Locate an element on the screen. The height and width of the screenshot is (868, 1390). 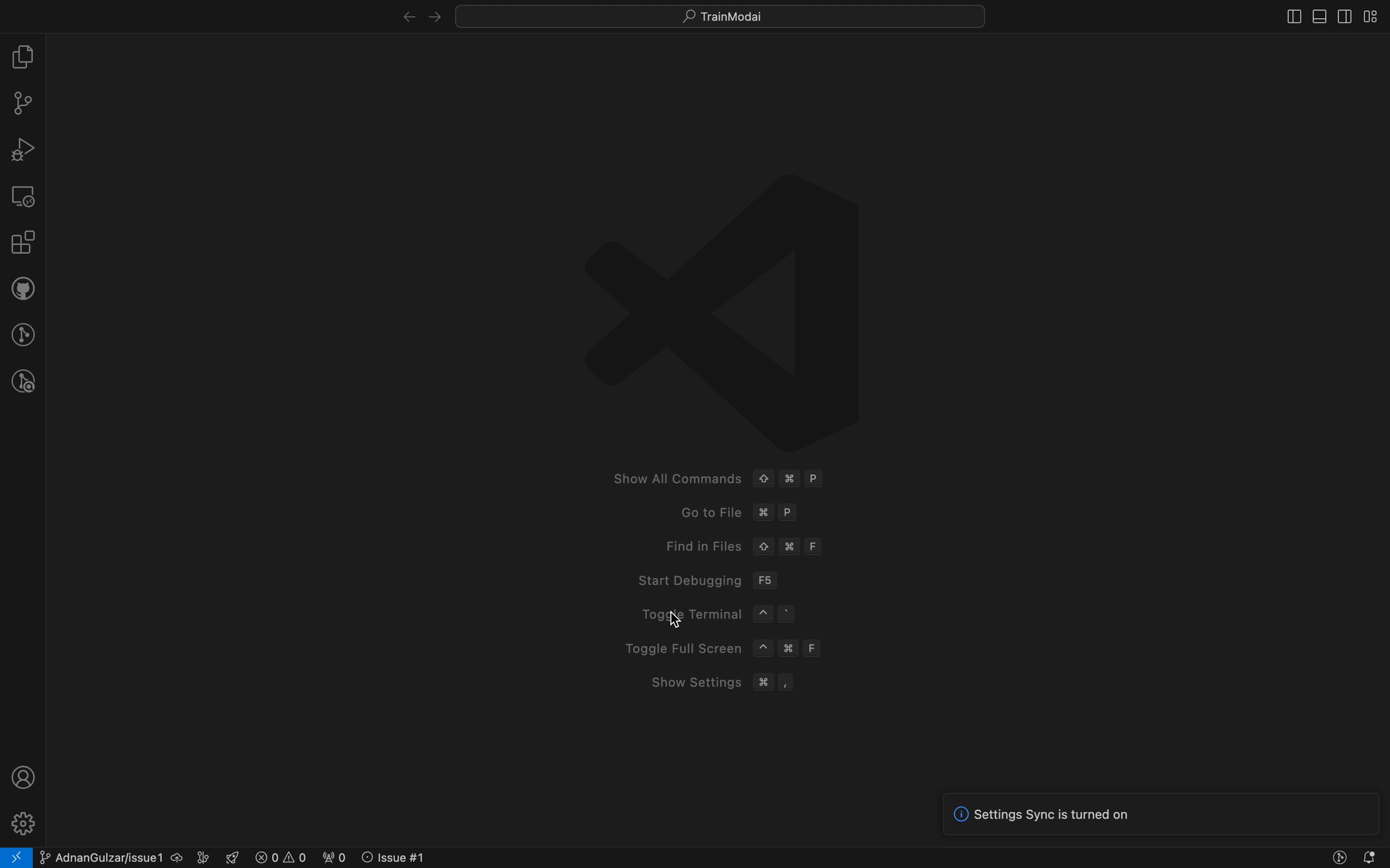
left arrow is located at coordinates (435, 13).